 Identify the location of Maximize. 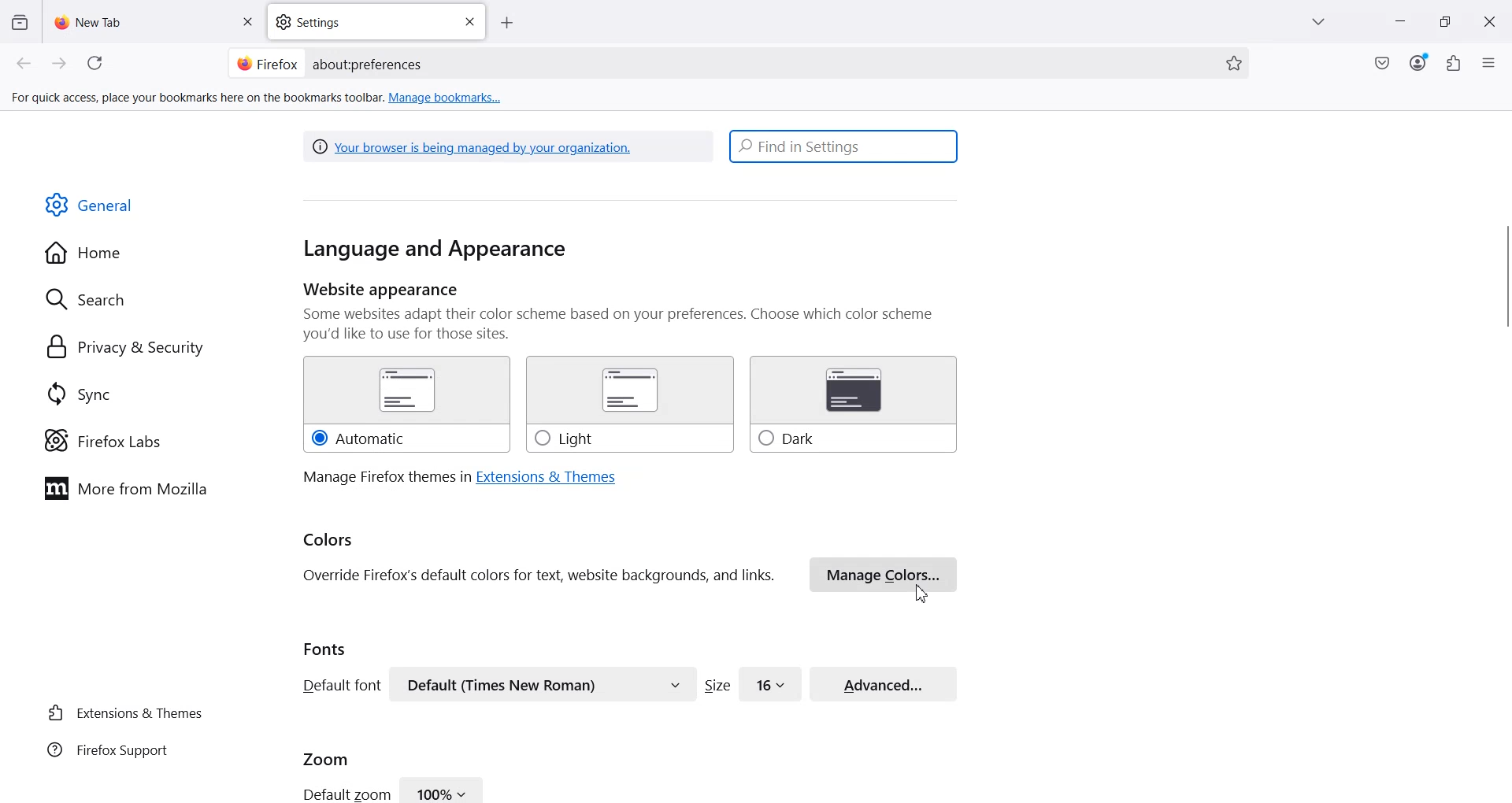
(1445, 22).